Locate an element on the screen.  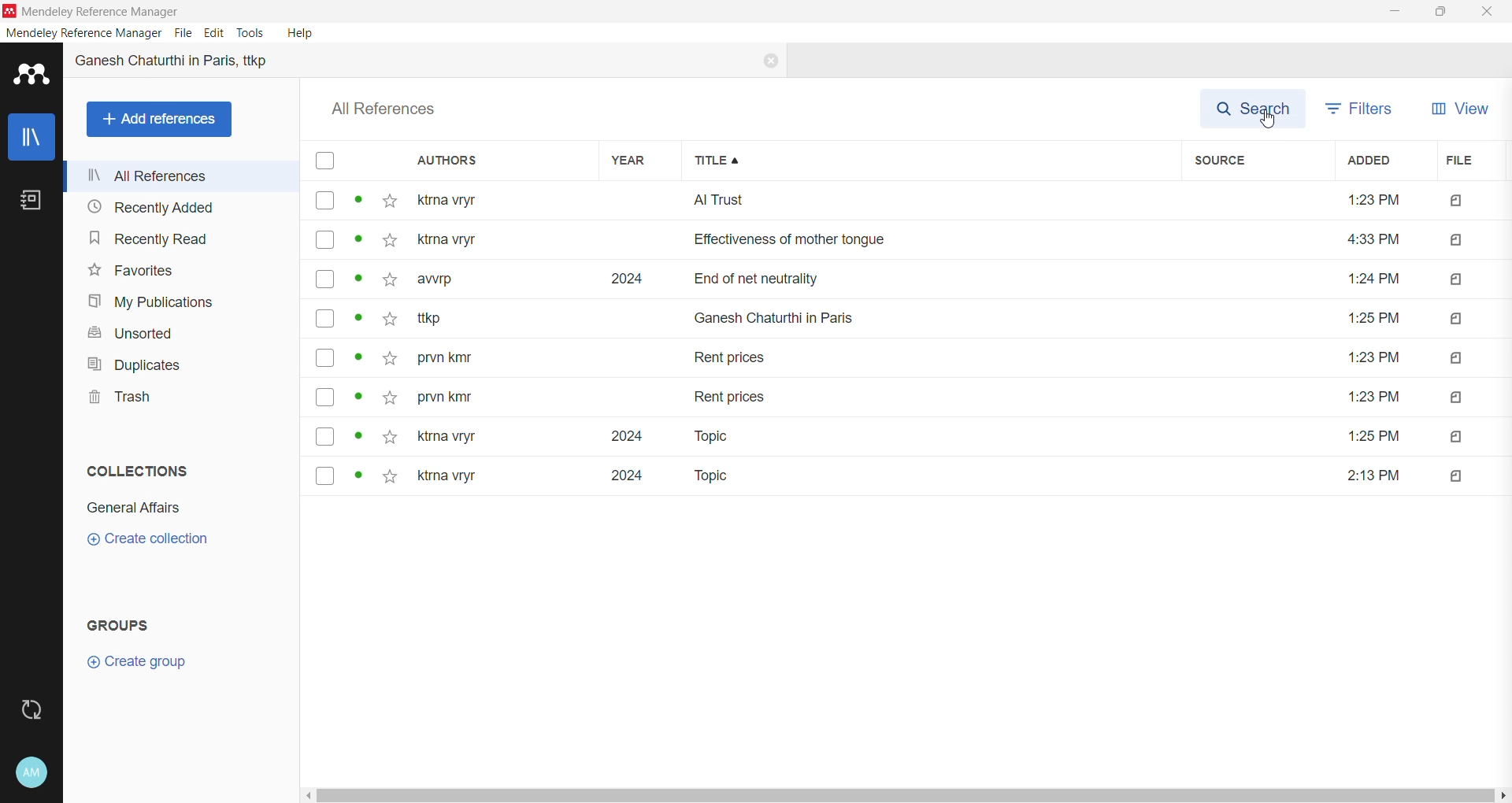
All References is located at coordinates (175, 176).